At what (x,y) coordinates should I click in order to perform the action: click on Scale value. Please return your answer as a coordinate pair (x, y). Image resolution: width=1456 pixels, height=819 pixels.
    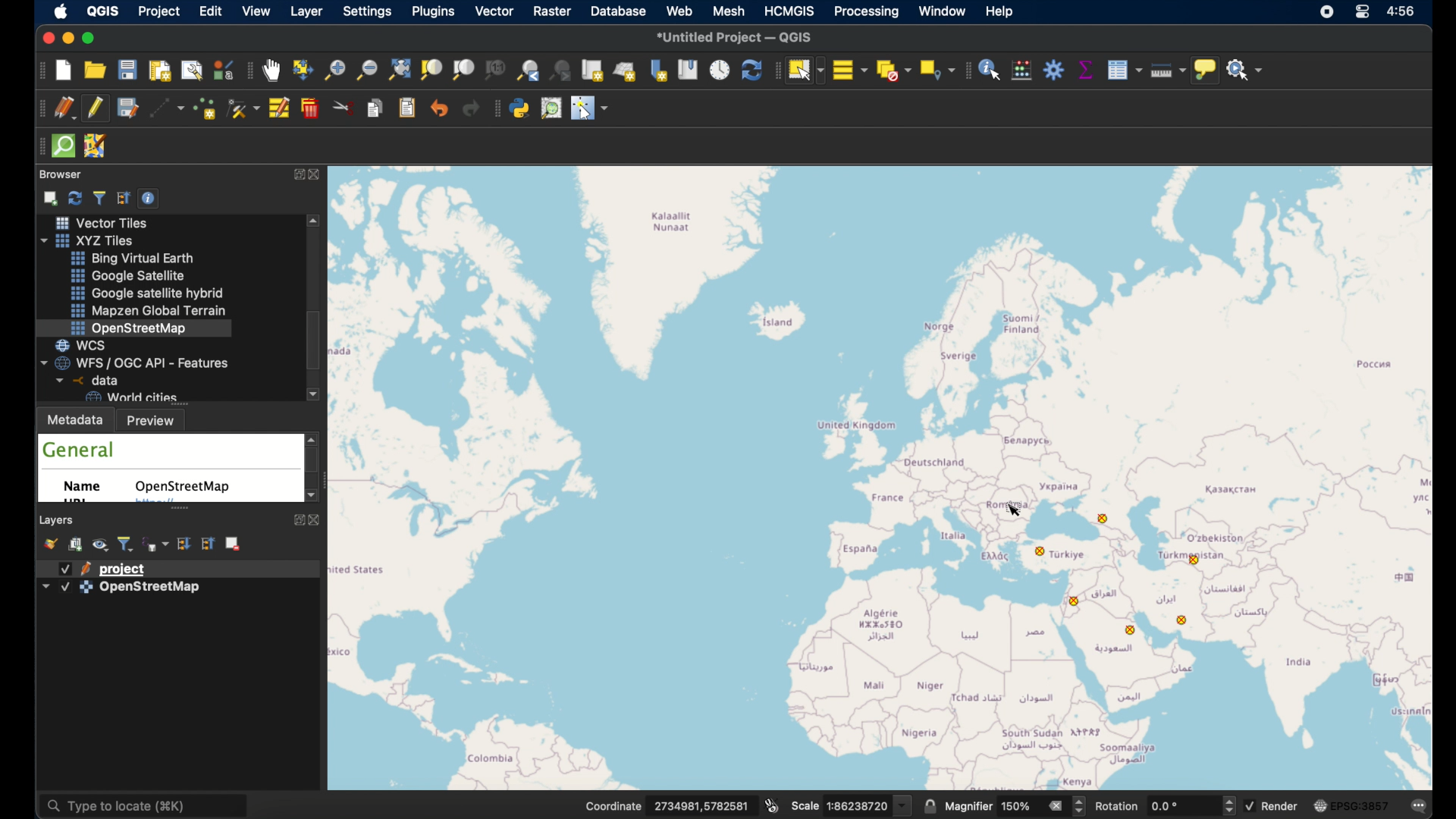
    Looking at the image, I should click on (858, 806).